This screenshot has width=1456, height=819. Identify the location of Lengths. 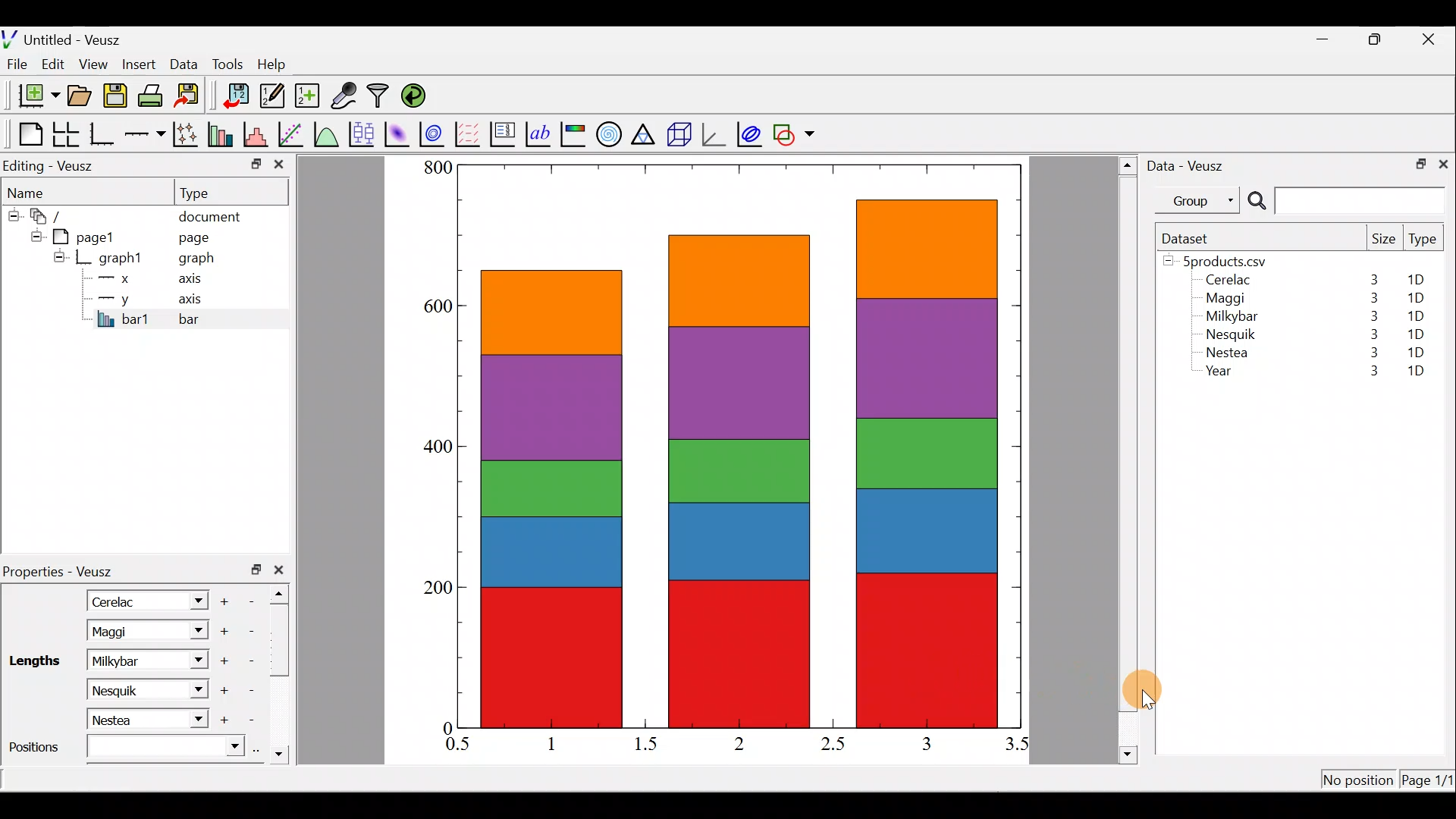
(36, 660).